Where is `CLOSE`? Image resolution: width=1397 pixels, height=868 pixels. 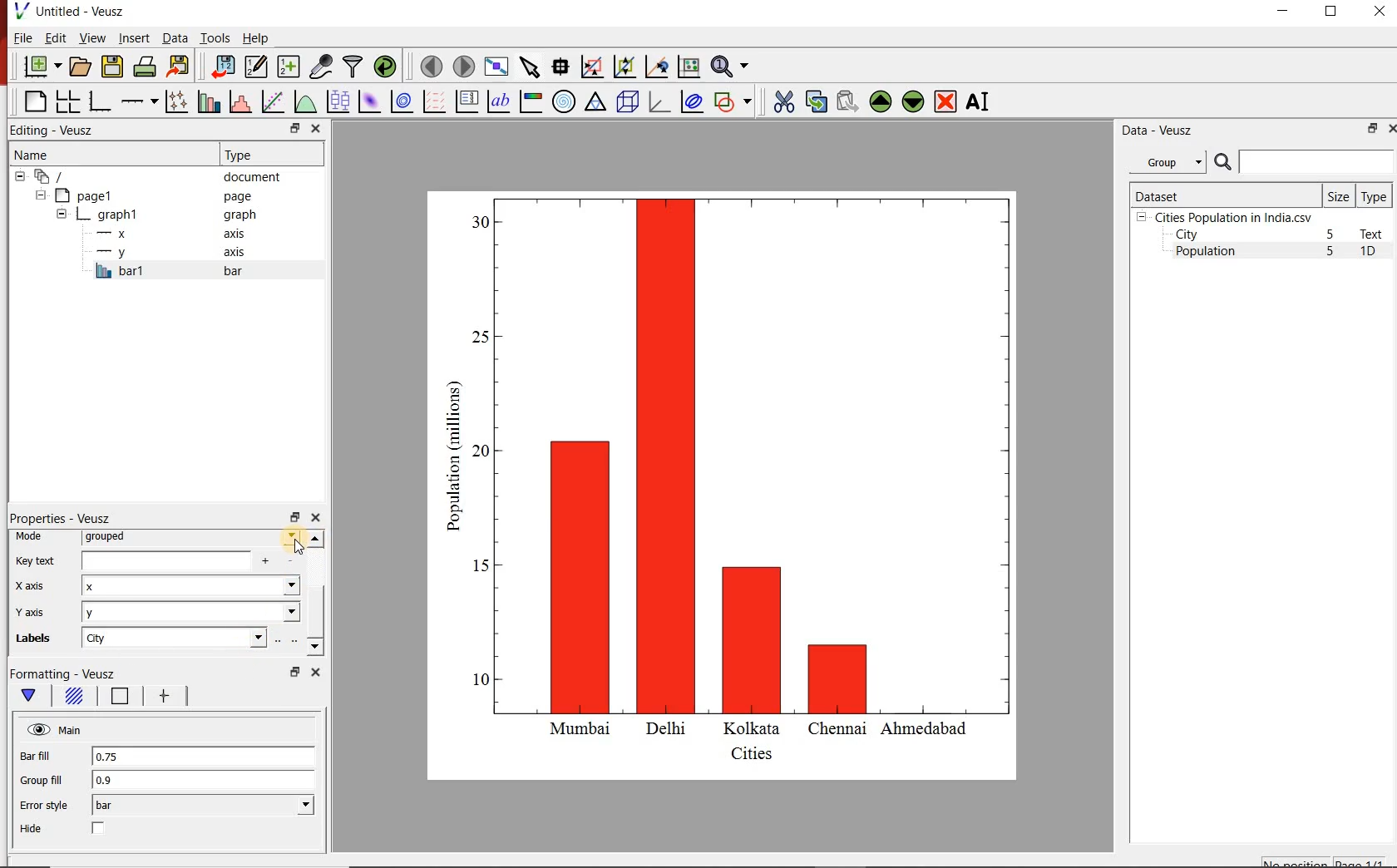
CLOSE is located at coordinates (1378, 13).